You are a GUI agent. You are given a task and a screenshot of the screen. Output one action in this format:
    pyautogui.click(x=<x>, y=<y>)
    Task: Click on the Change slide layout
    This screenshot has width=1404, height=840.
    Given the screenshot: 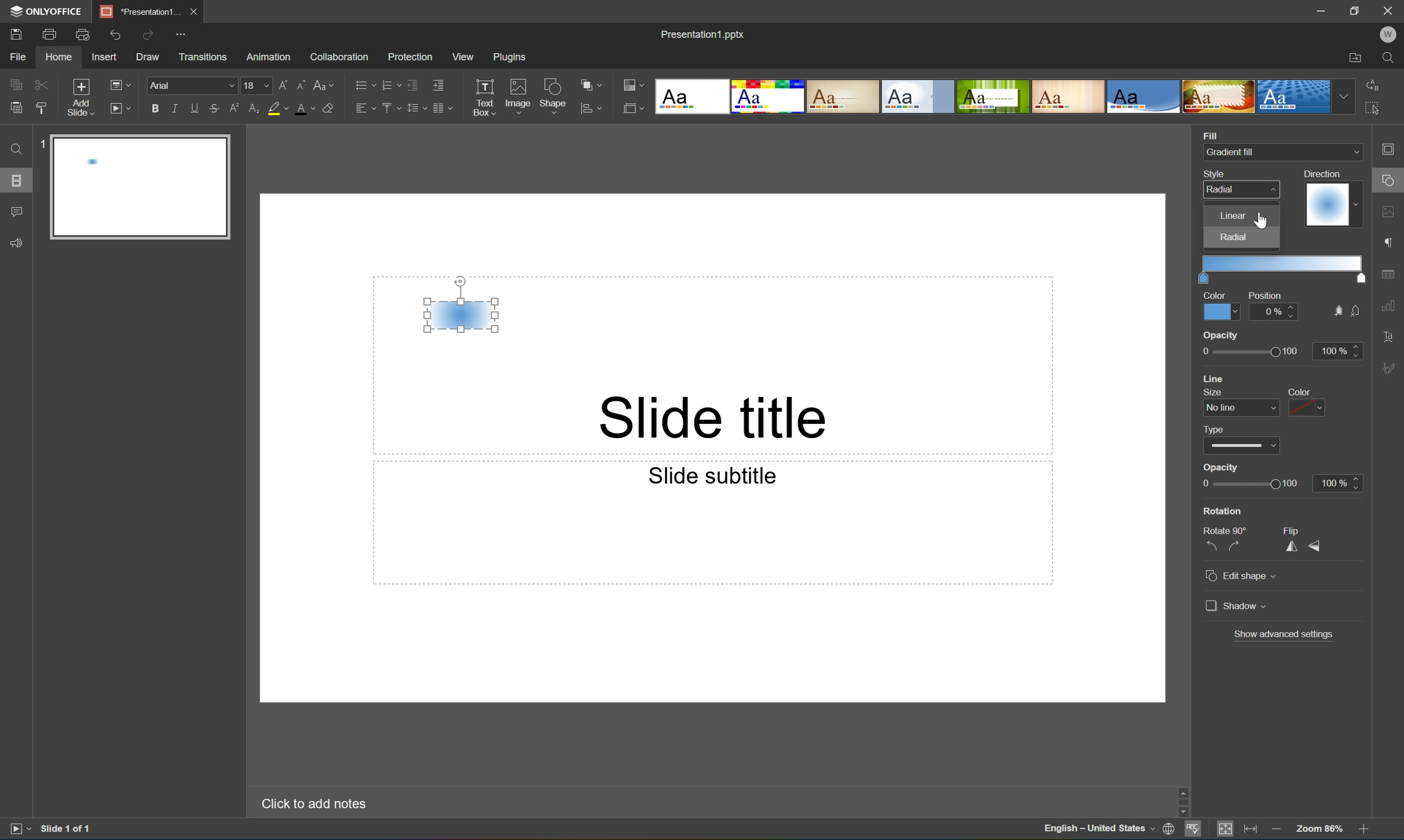 What is the action you would take?
    pyautogui.click(x=118, y=83)
    